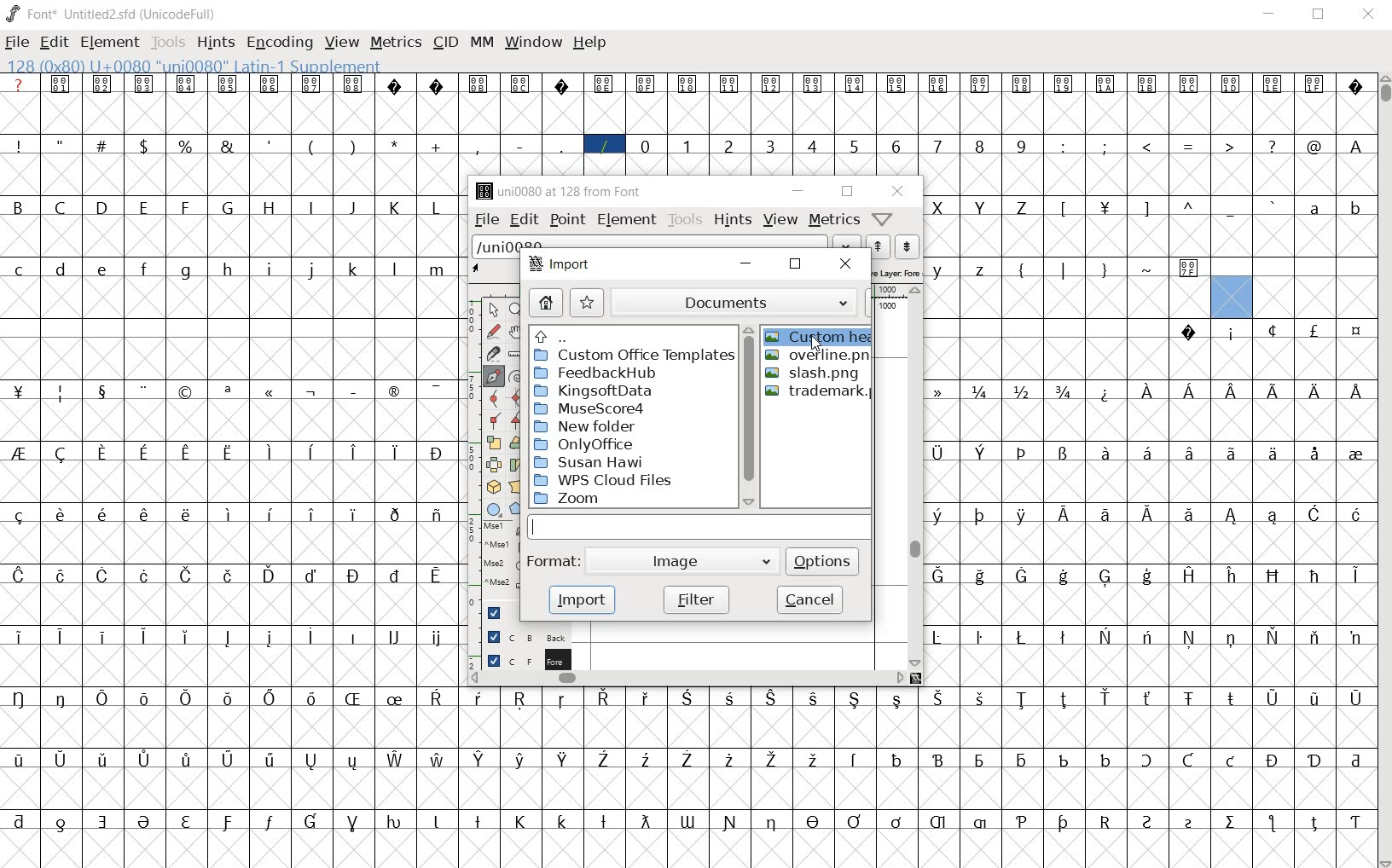 Image resolution: width=1392 pixels, height=868 pixels. Describe the element at coordinates (396, 760) in the screenshot. I see `glyph` at that location.